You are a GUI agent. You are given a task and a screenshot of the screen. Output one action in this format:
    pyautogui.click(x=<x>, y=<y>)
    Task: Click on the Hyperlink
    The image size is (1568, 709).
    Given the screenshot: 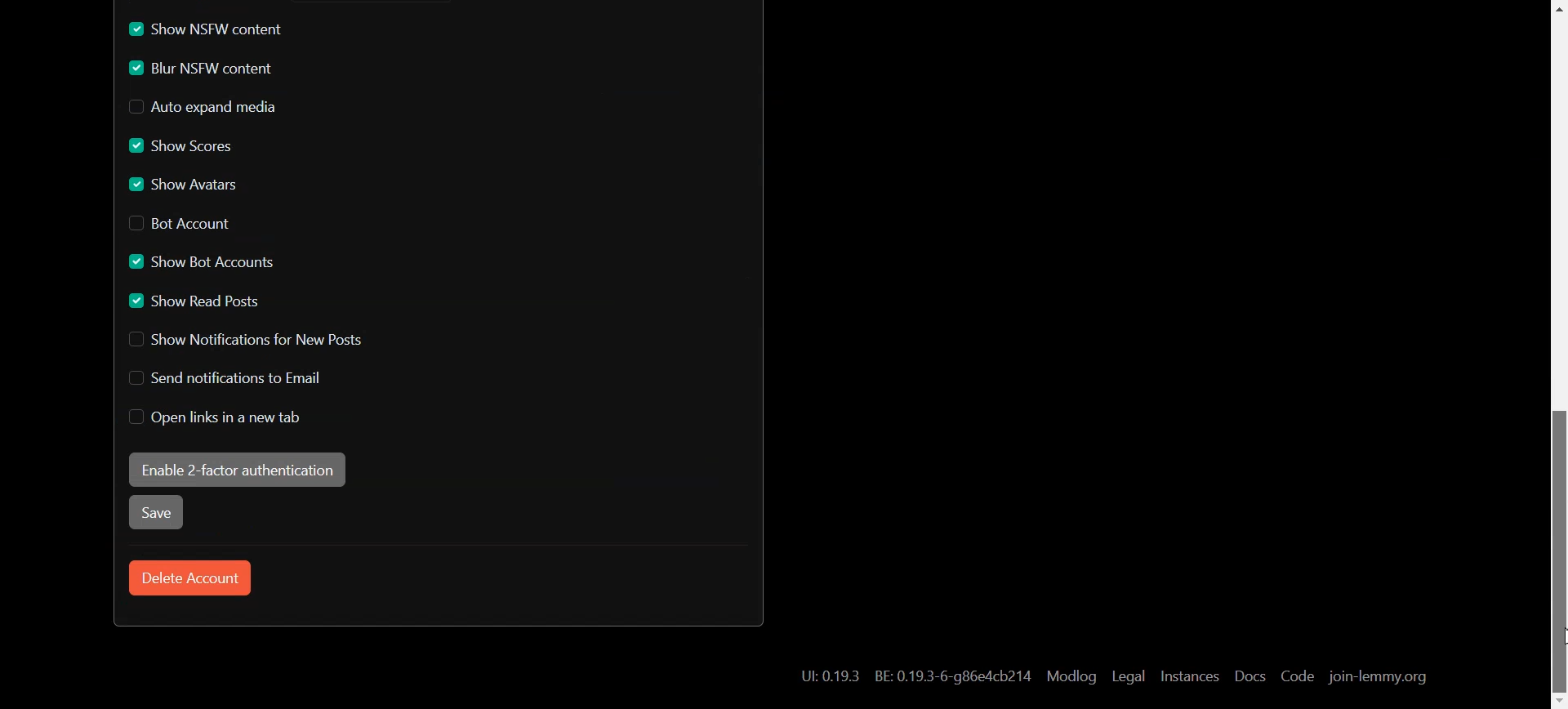 What is the action you would take?
    pyautogui.click(x=914, y=674)
    